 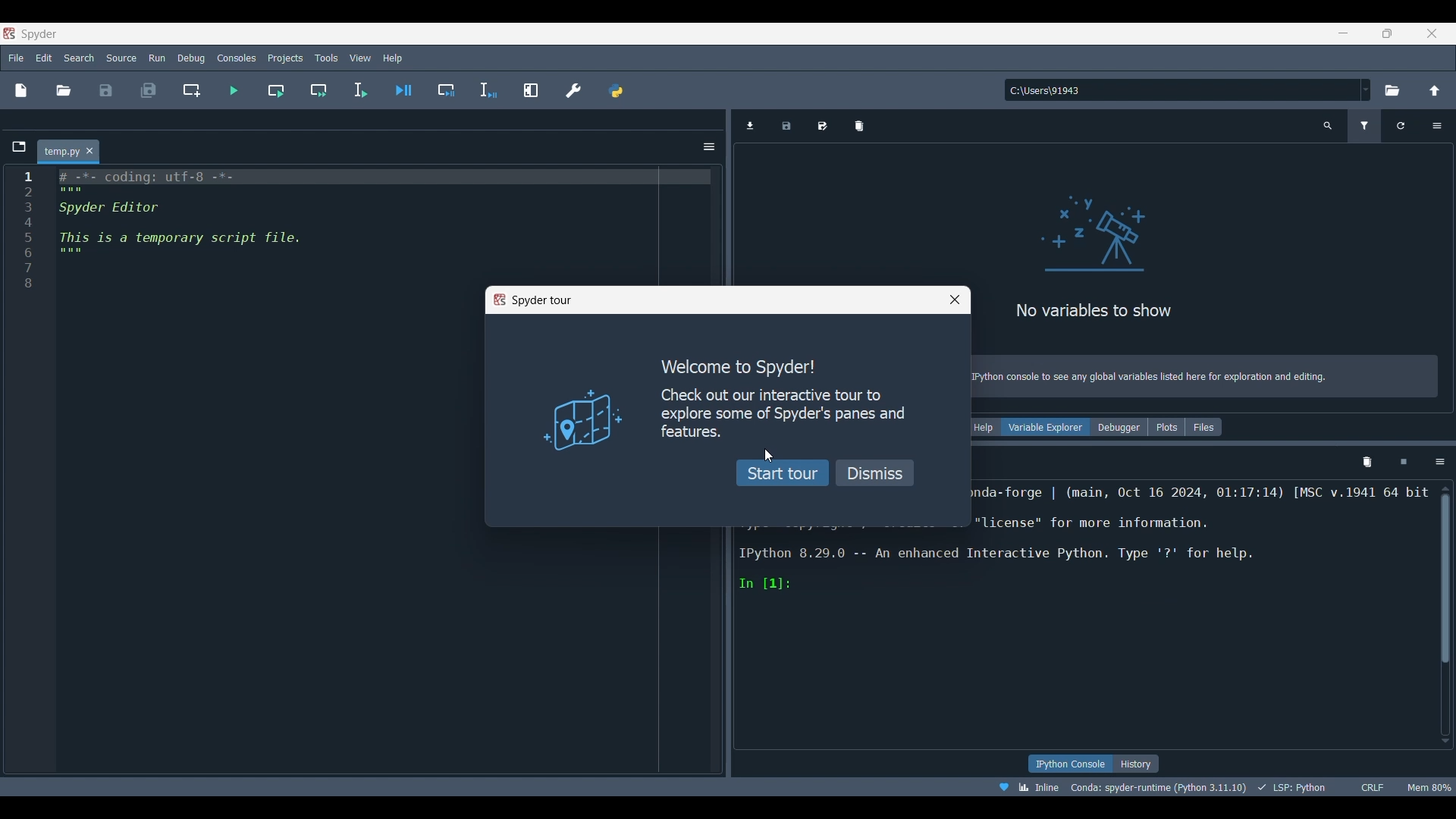 I want to click on Run file, so click(x=234, y=90).